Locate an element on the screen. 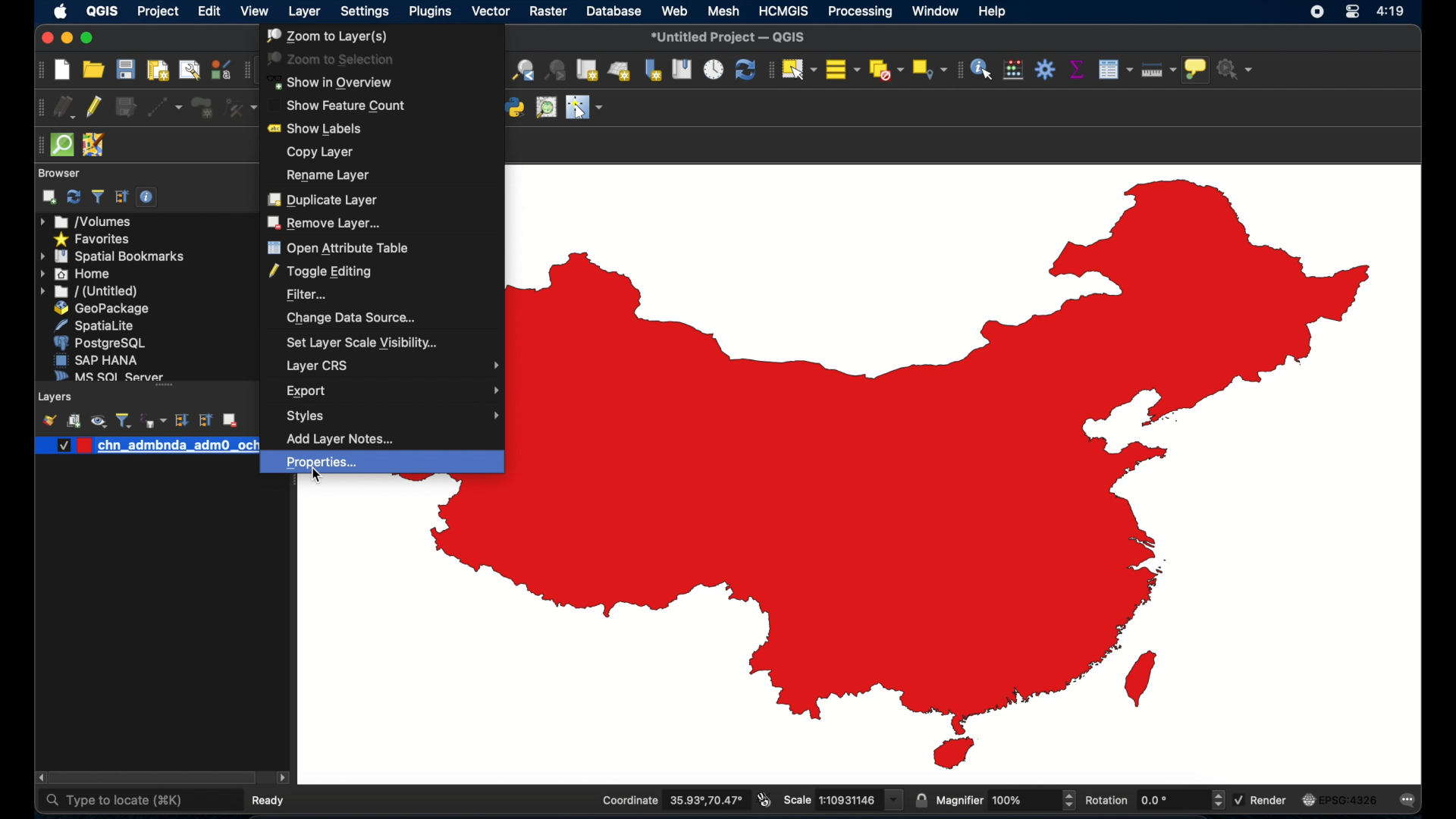 The height and width of the screenshot is (819, 1456). messages is located at coordinates (1410, 800).